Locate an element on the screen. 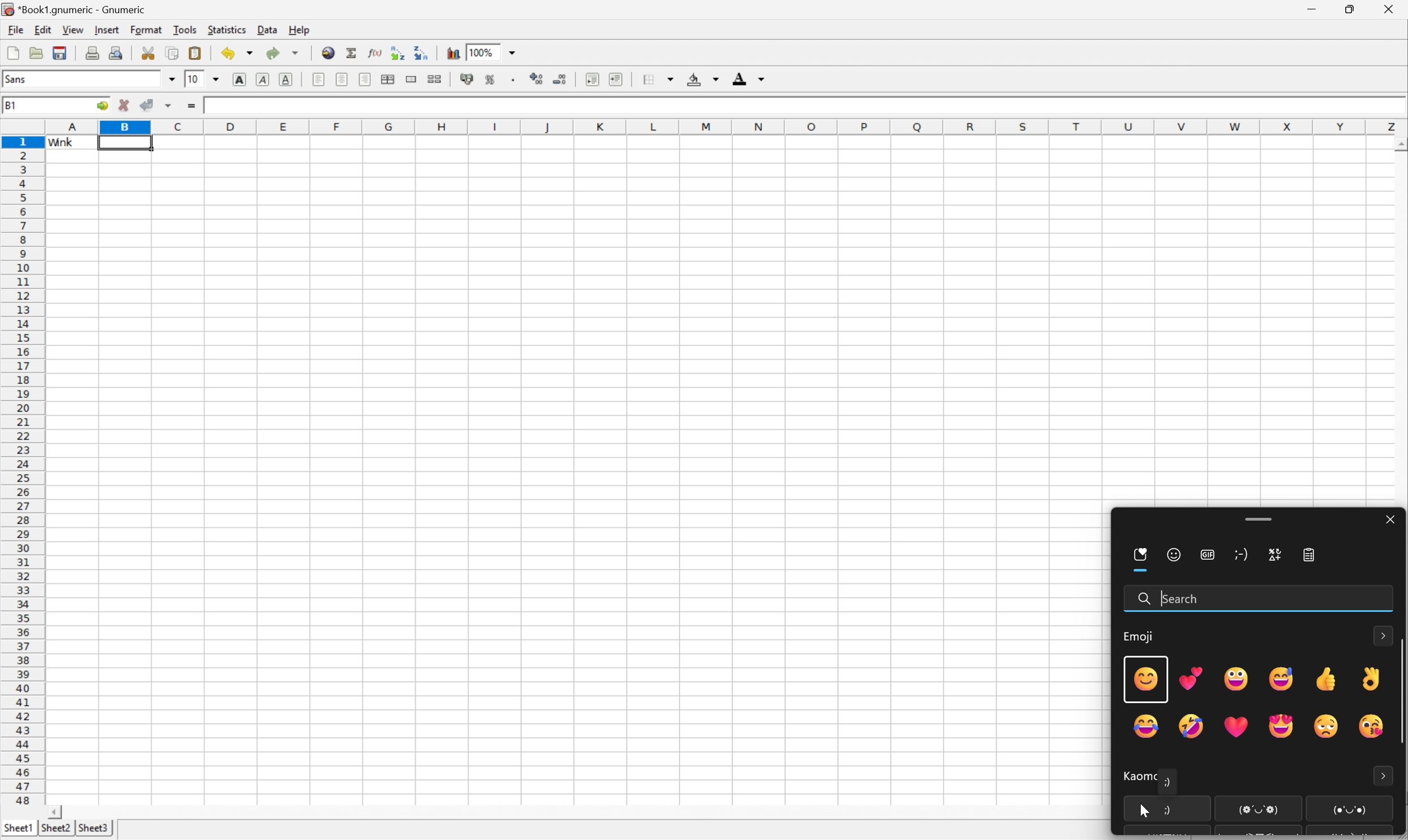 The image size is (1408, 840). copy is located at coordinates (173, 53).